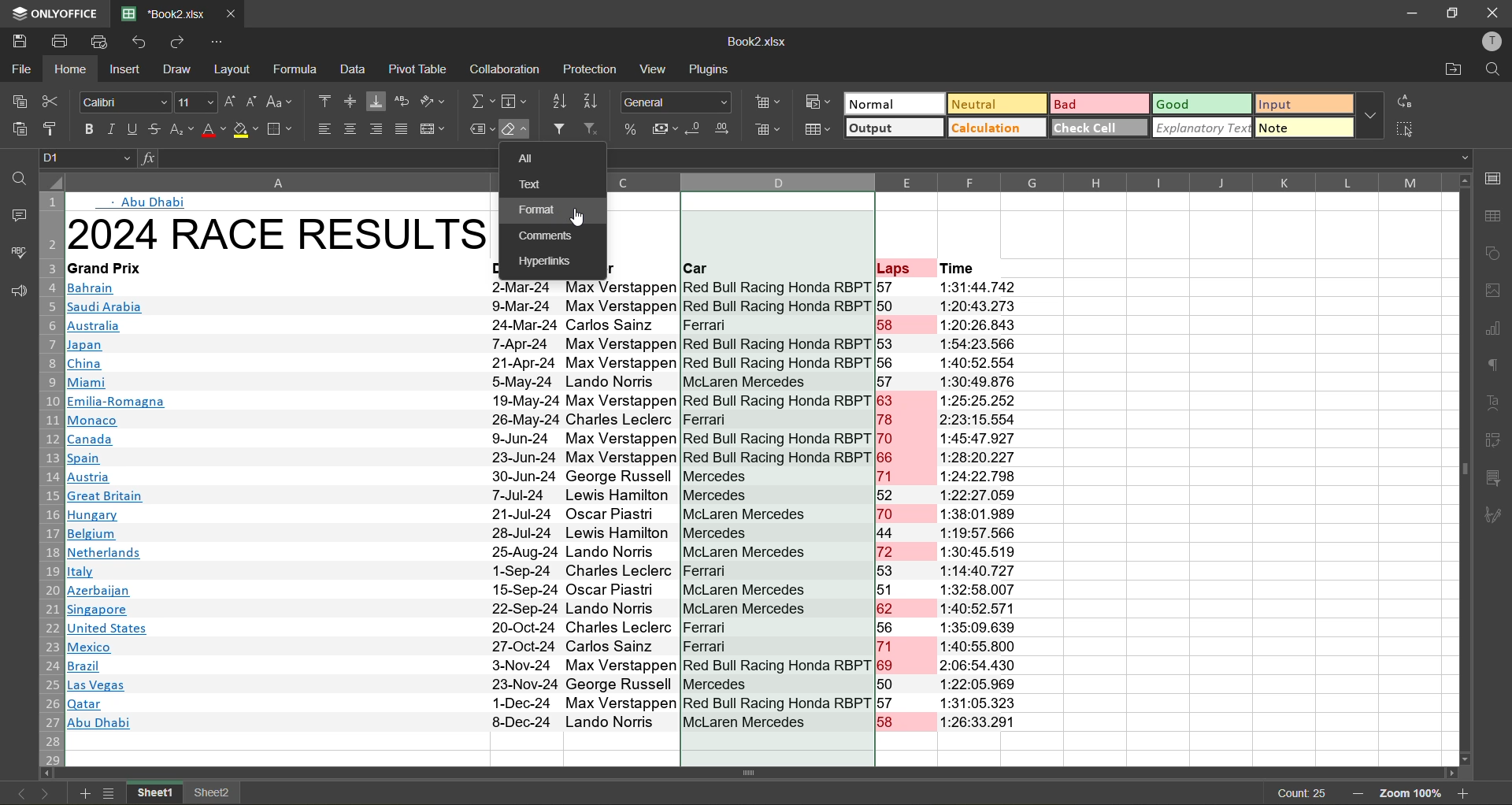 The width and height of the screenshot is (1512, 805). What do you see at coordinates (87, 160) in the screenshot?
I see `D1` at bounding box center [87, 160].